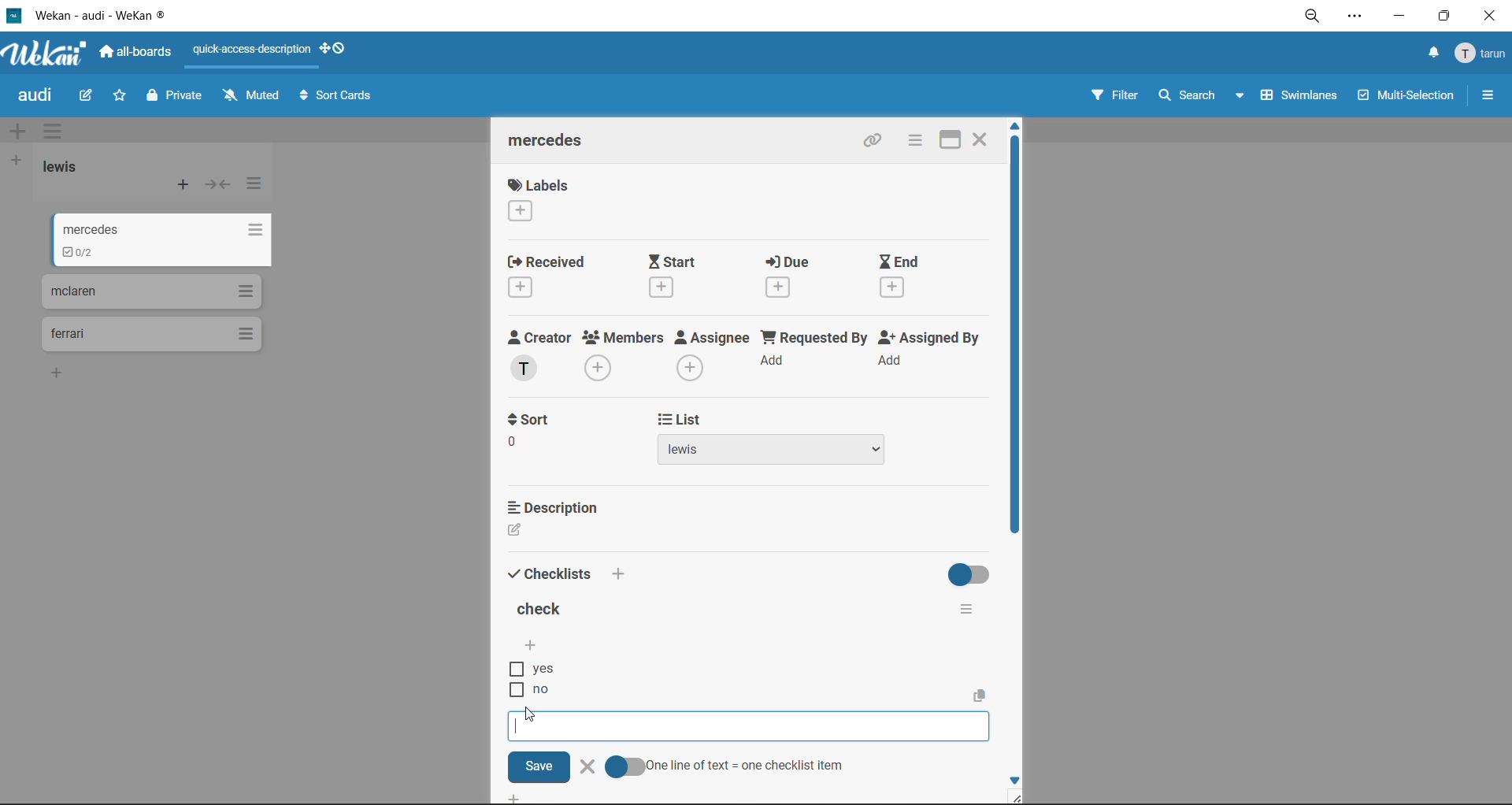 Image resolution: width=1512 pixels, height=805 pixels. Describe the element at coordinates (254, 54) in the screenshot. I see `quick access description` at that location.